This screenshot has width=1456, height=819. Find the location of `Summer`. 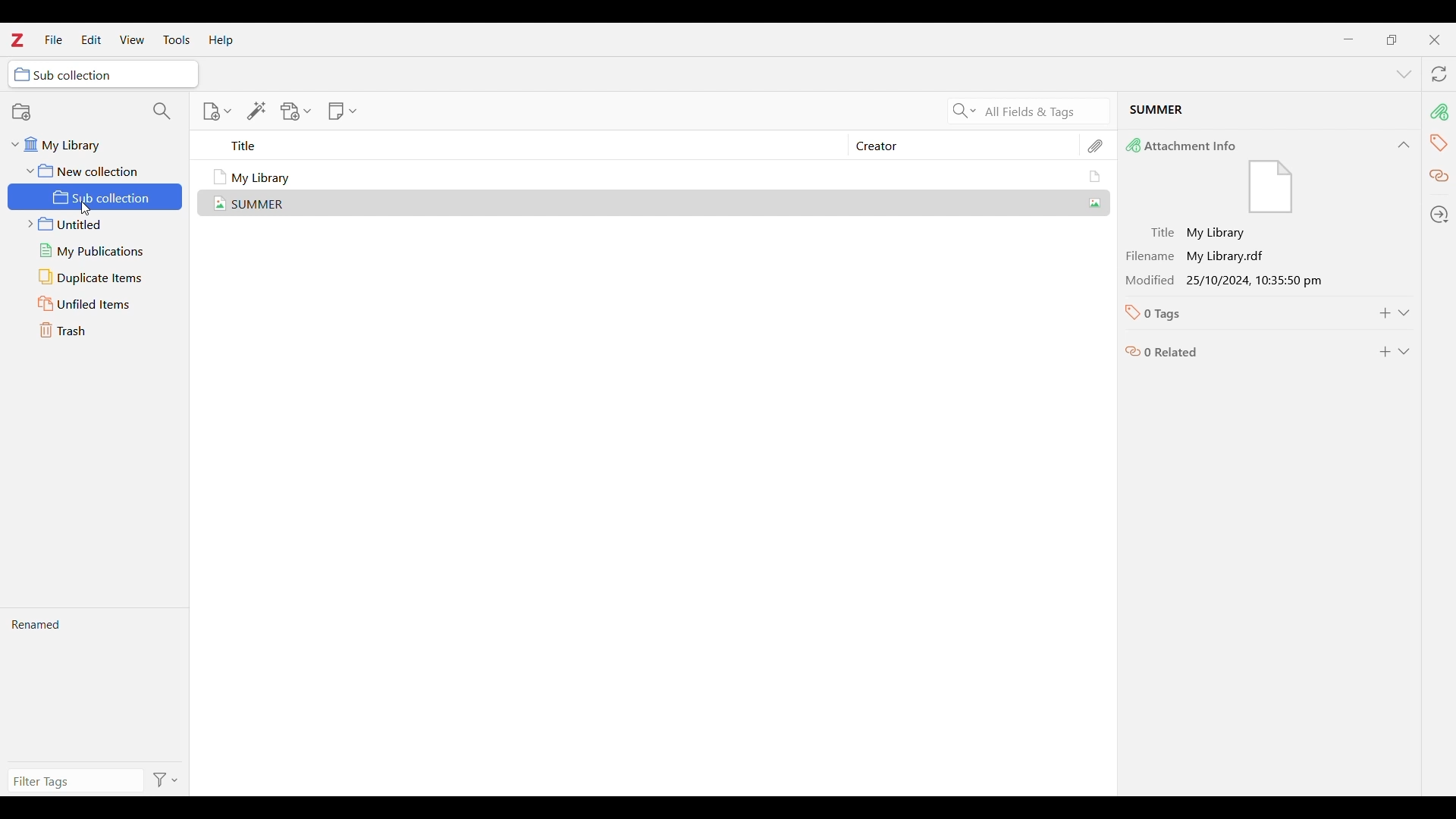

Summer is located at coordinates (660, 202).